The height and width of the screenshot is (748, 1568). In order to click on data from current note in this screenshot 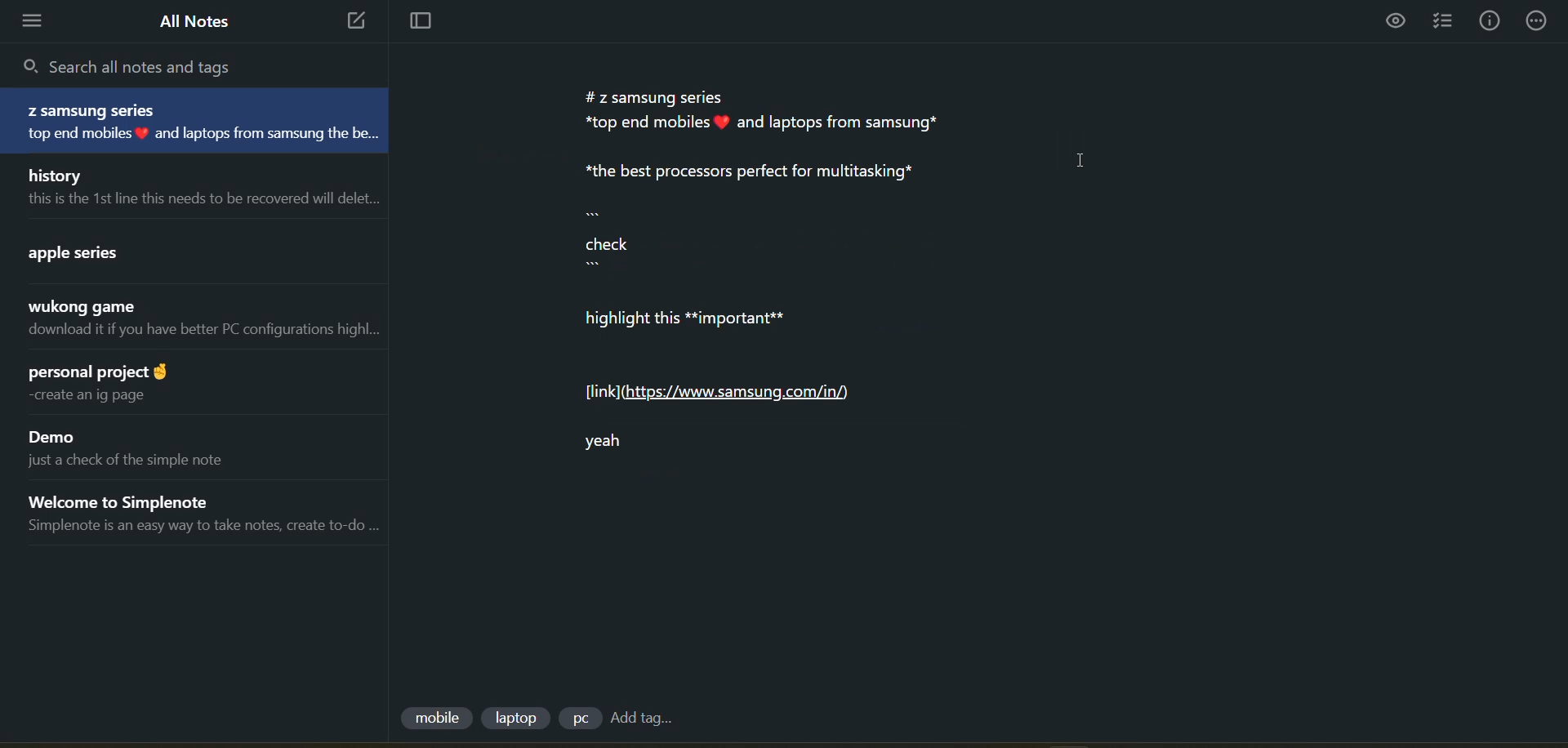, I will do `click(786, 287)`.